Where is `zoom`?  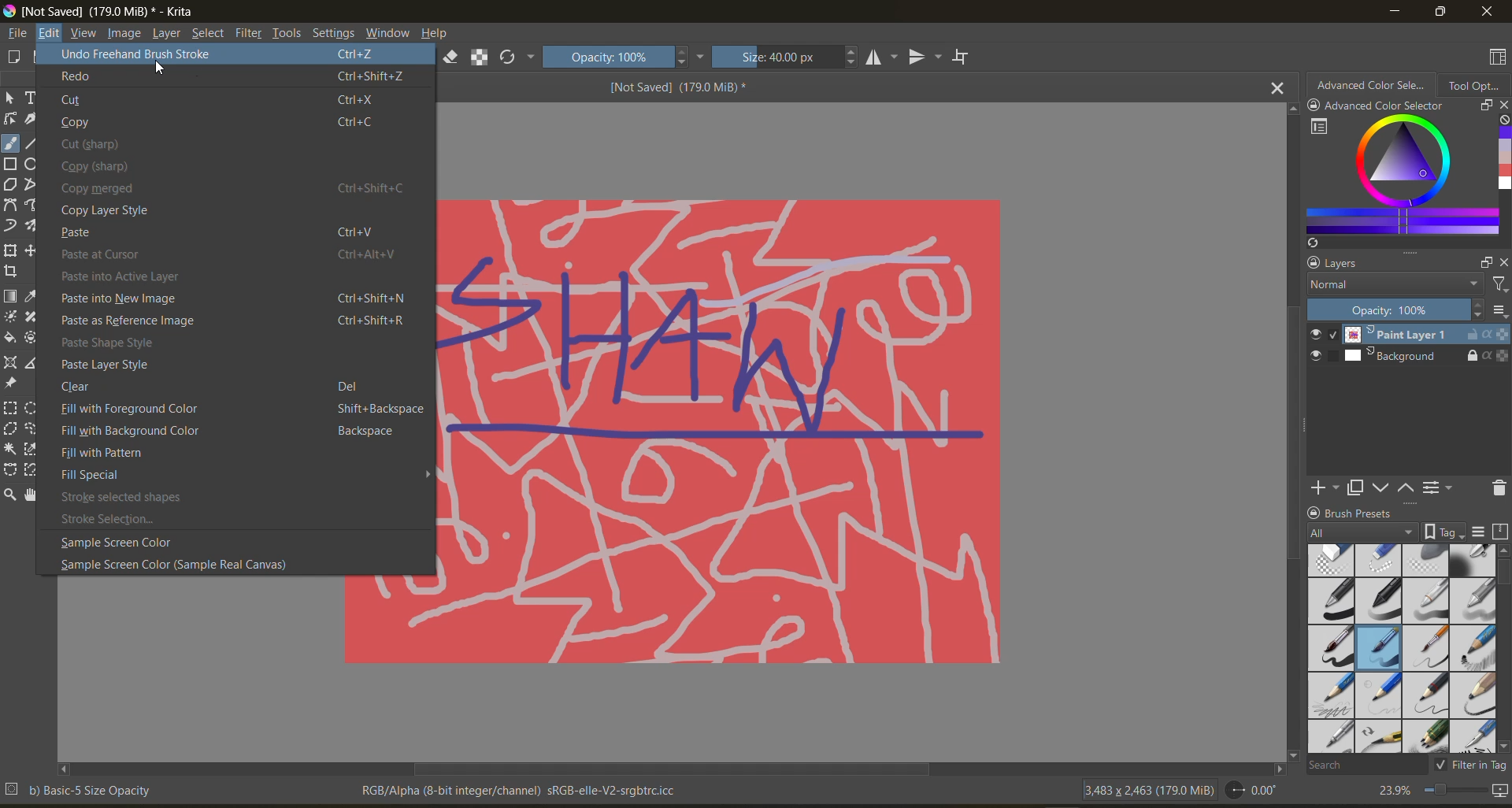
zoom is located at coordinates (1455, 790).